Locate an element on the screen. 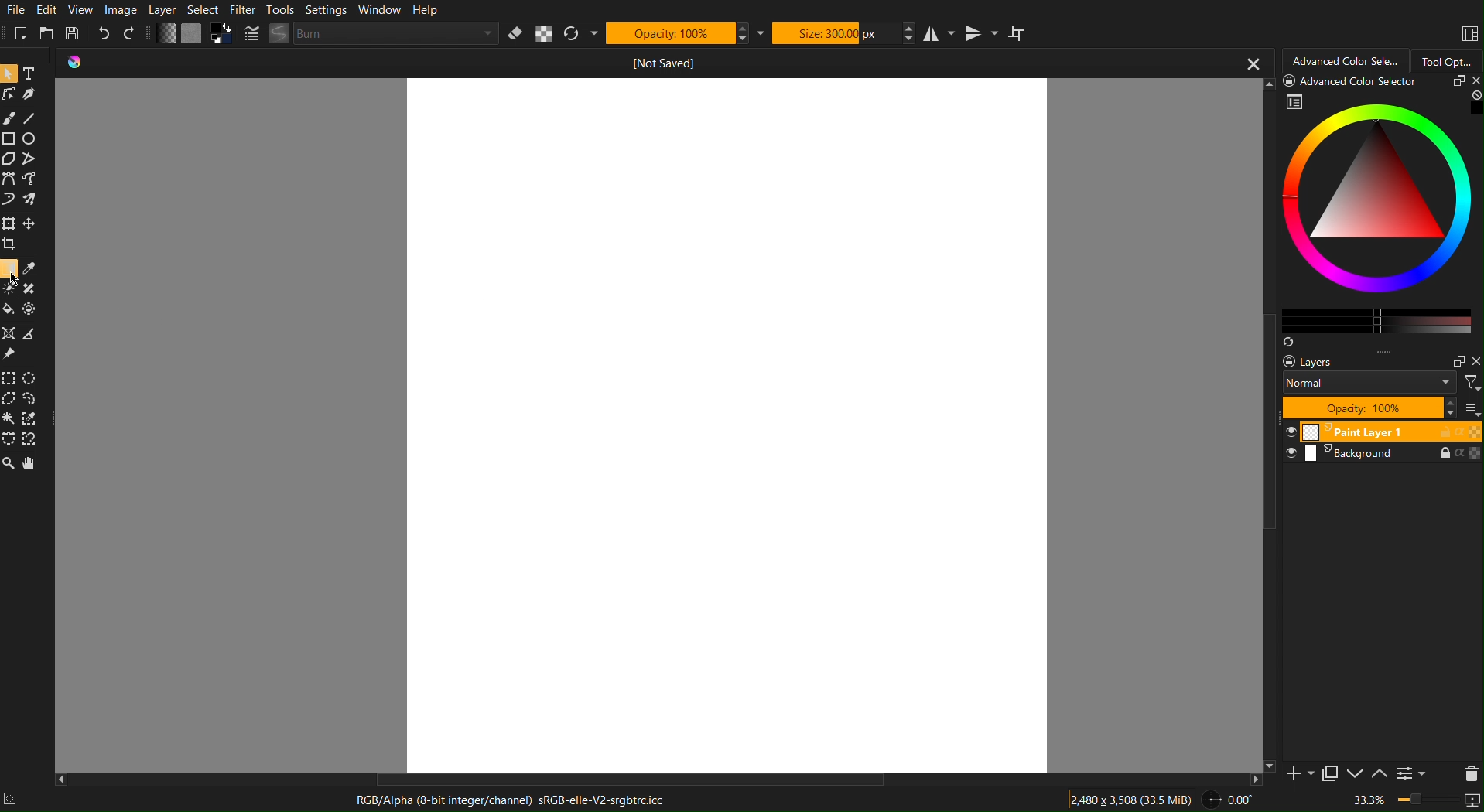  Color Tools is located at coordinates (22, 299).